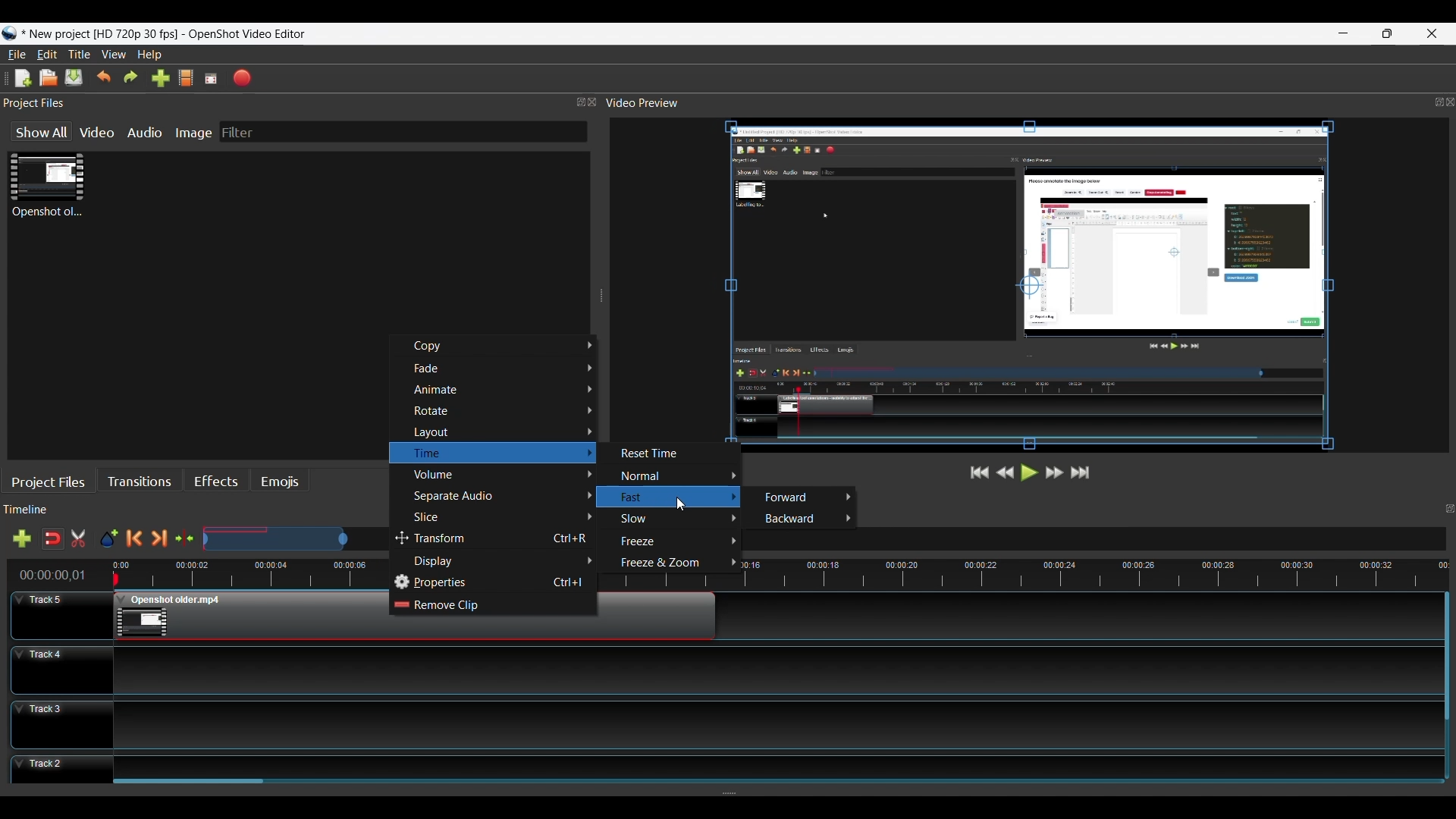 The image size is (1456, 819). What do you see at coordinates (212, 78) in the screenshot?
I see `Fullscreen` at bounding box center [212, 78].